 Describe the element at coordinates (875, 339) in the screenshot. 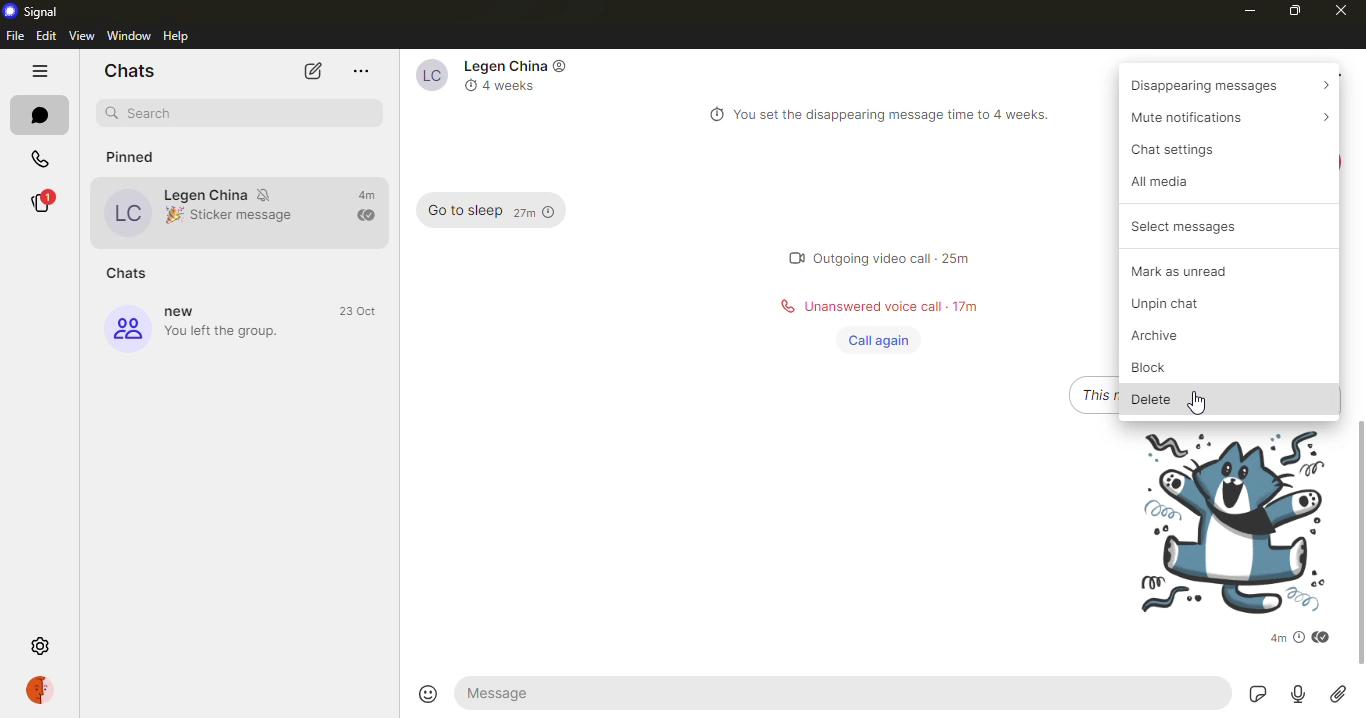

I see `call again` at that location.